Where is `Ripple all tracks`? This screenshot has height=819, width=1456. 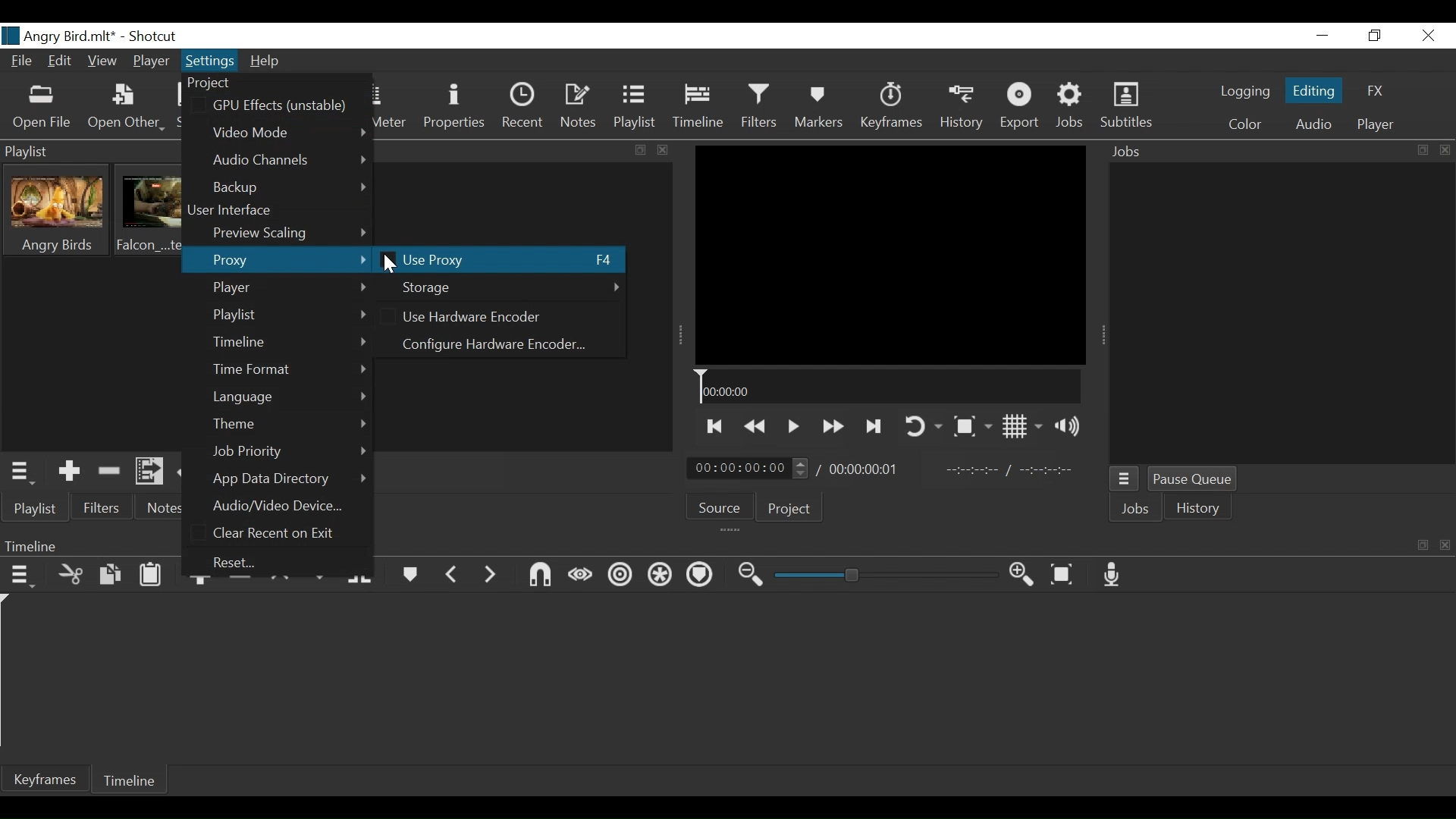
Ripple all tracks is located at coordinates (657, 575).